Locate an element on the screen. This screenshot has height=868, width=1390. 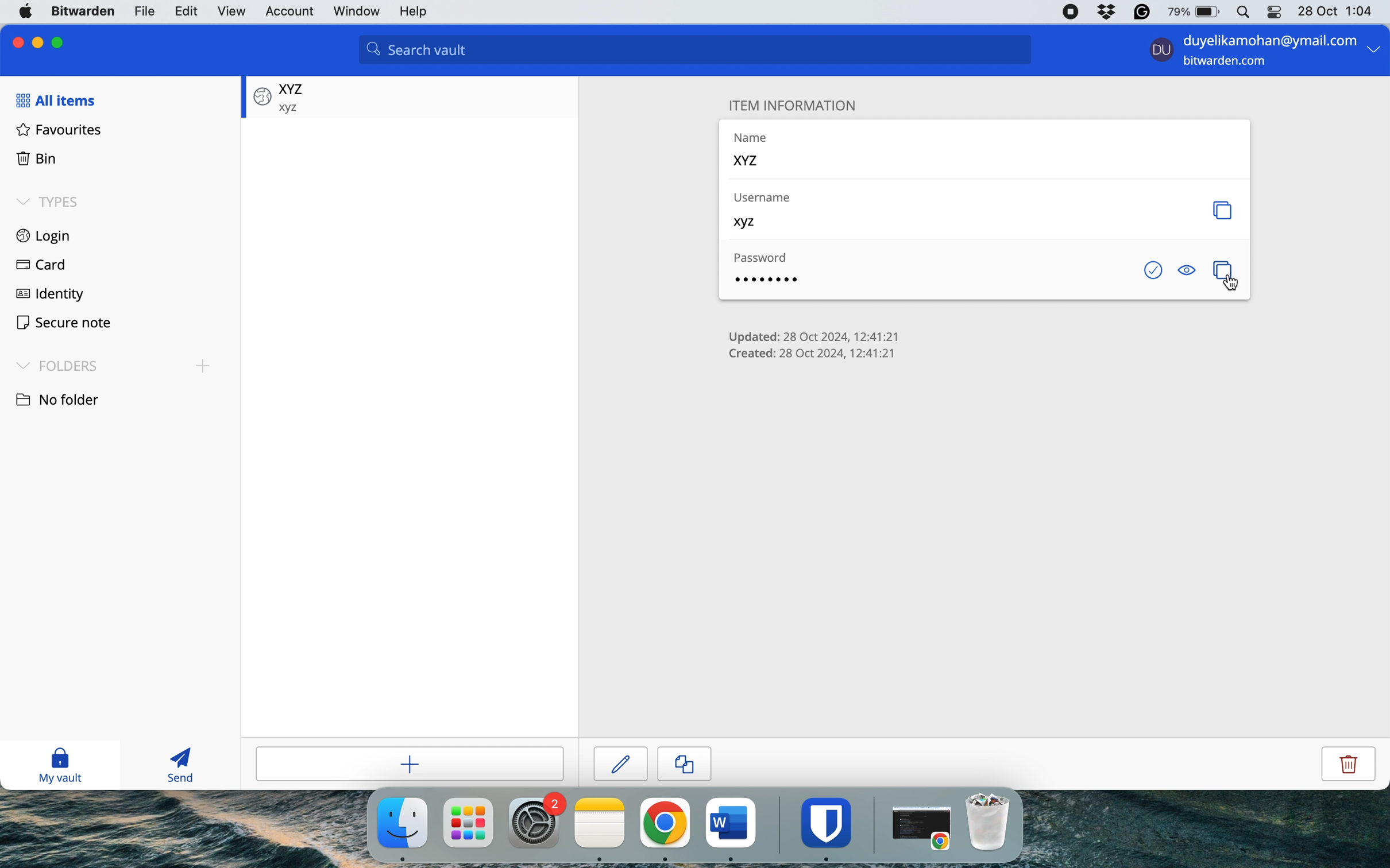
edit is located at coordinates (186, 11).